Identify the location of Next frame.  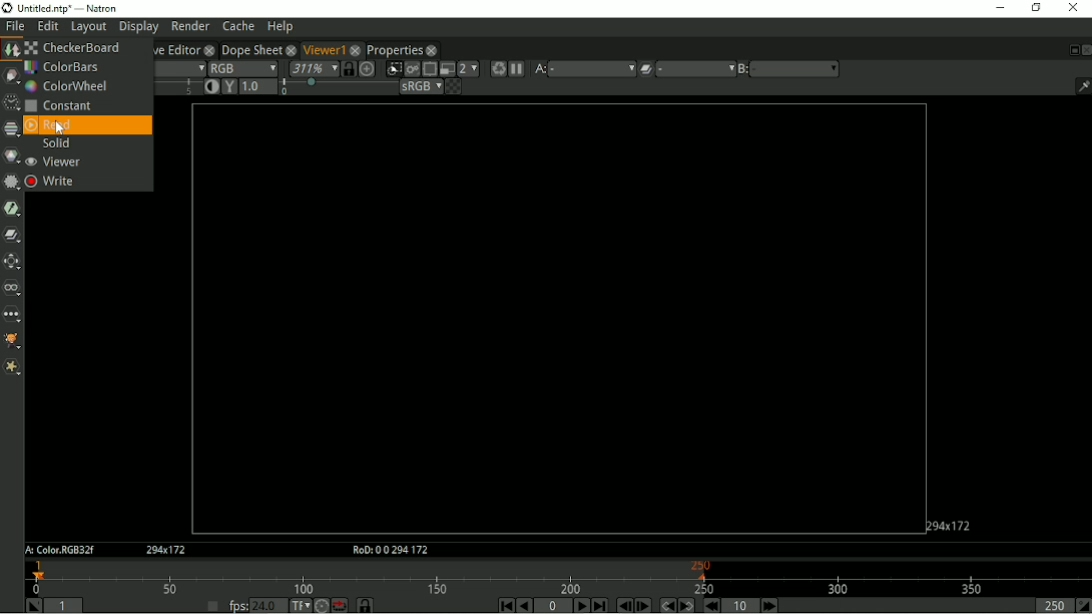
(644, 605).